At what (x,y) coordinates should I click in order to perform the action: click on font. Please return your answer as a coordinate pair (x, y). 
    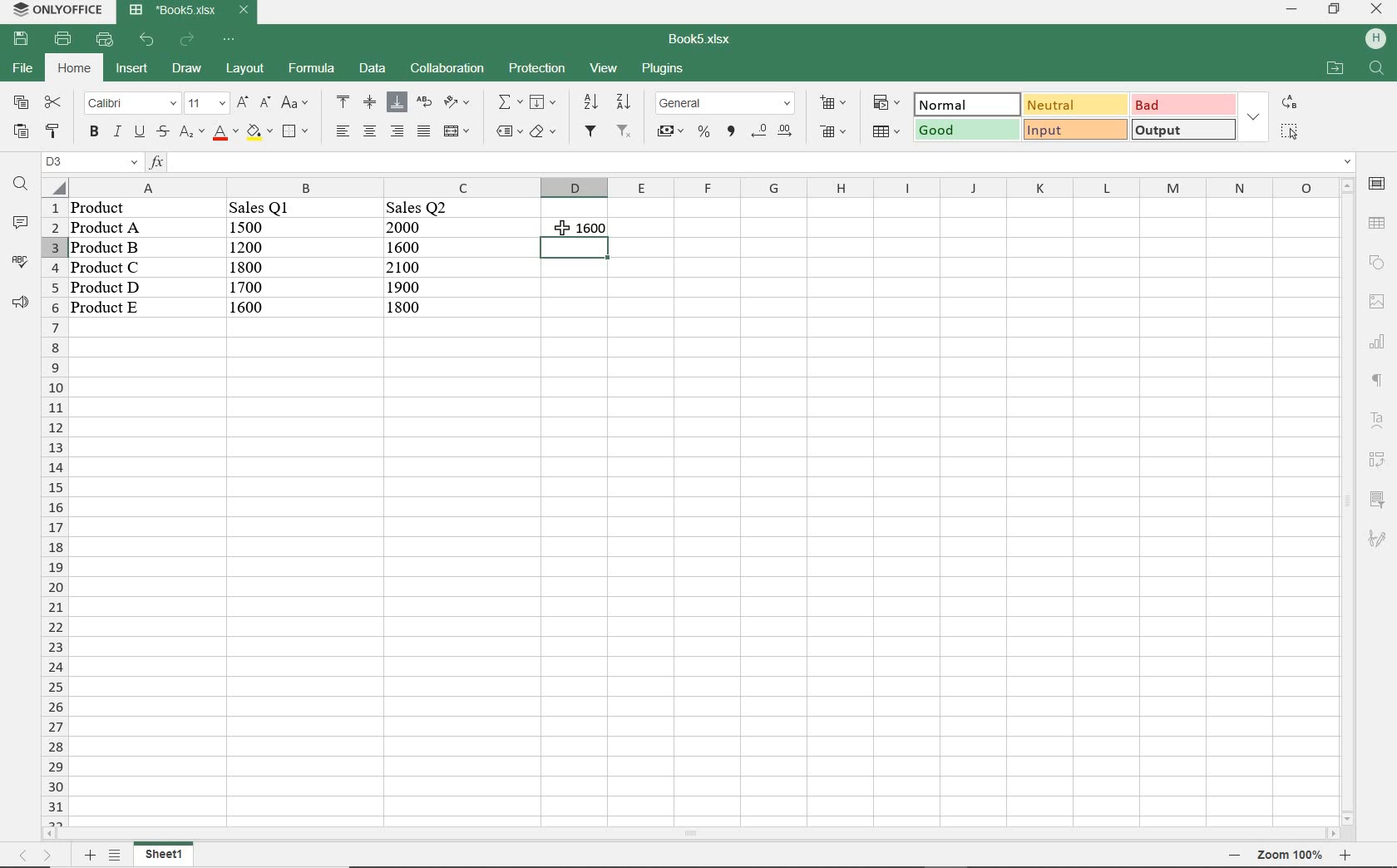
    Looking at the image, I should click on (129, 104).